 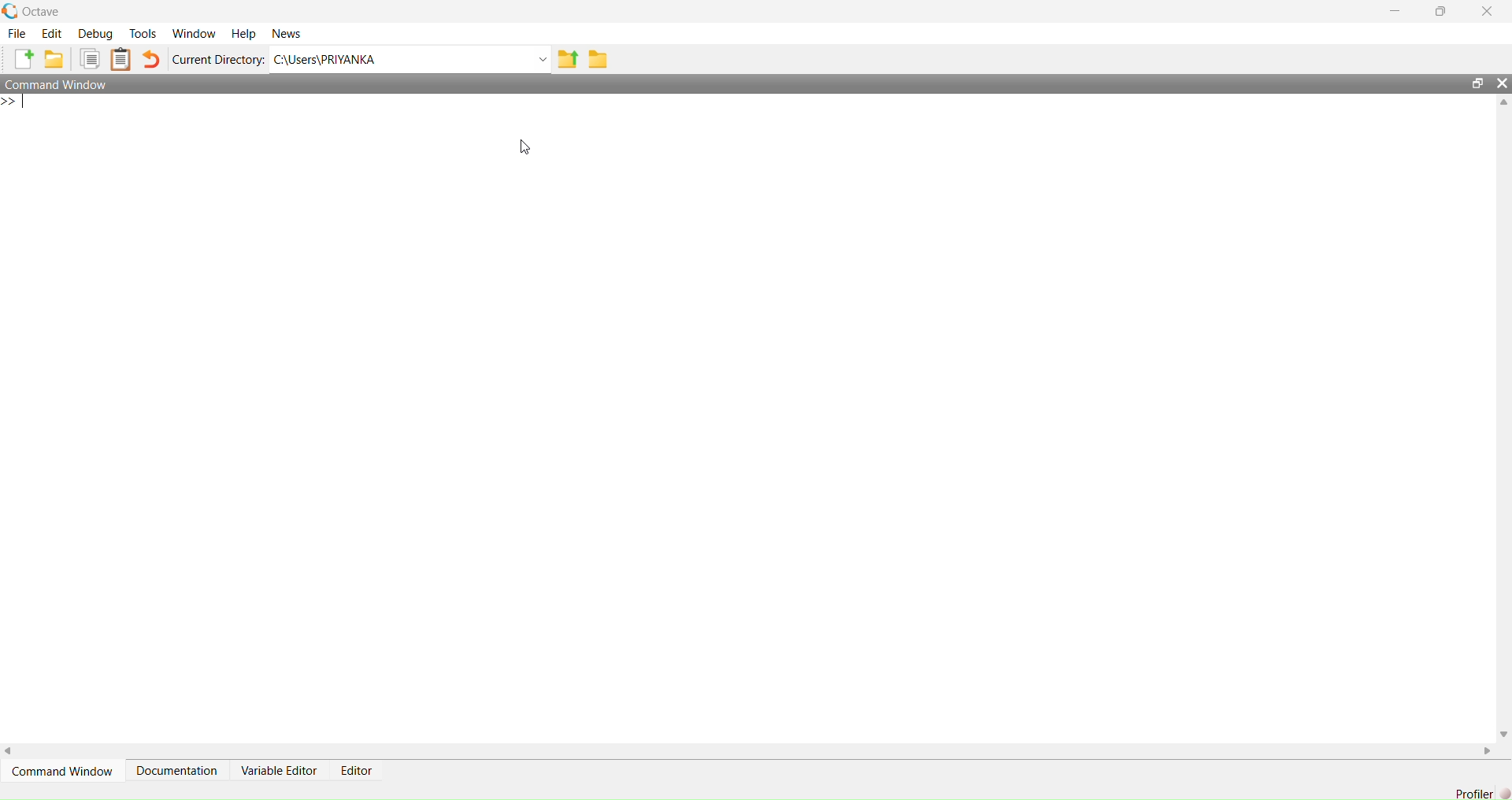 What do you see at coordinates (66, 772) in the screenshot?
I see `Command Window` at bounding box center [66, 772].